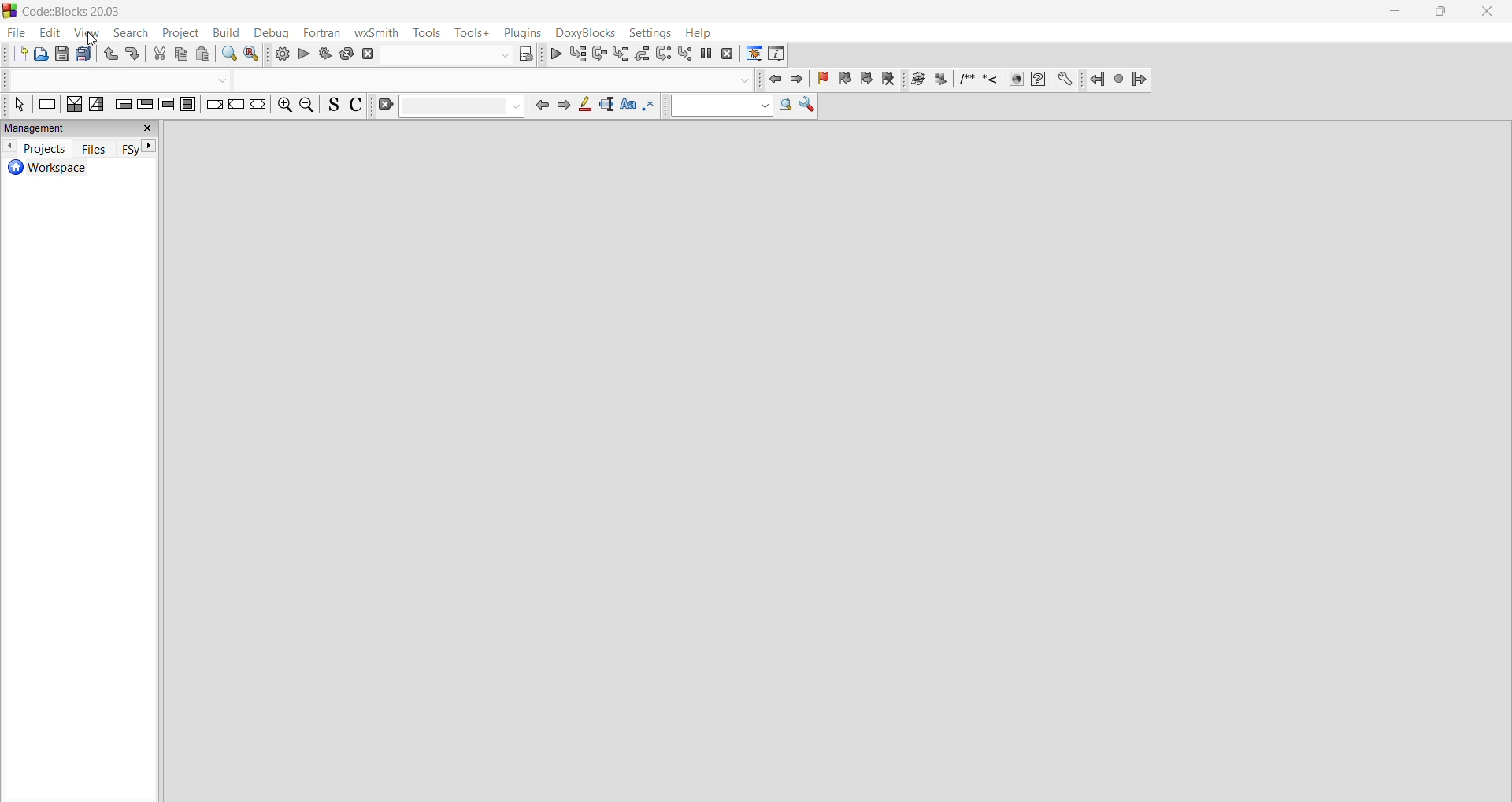 This screenshot has width=1512, height=802. What do you see at coordinates (704, 33) in the screenshot?
I see `help` at bounding box center [704, 33].